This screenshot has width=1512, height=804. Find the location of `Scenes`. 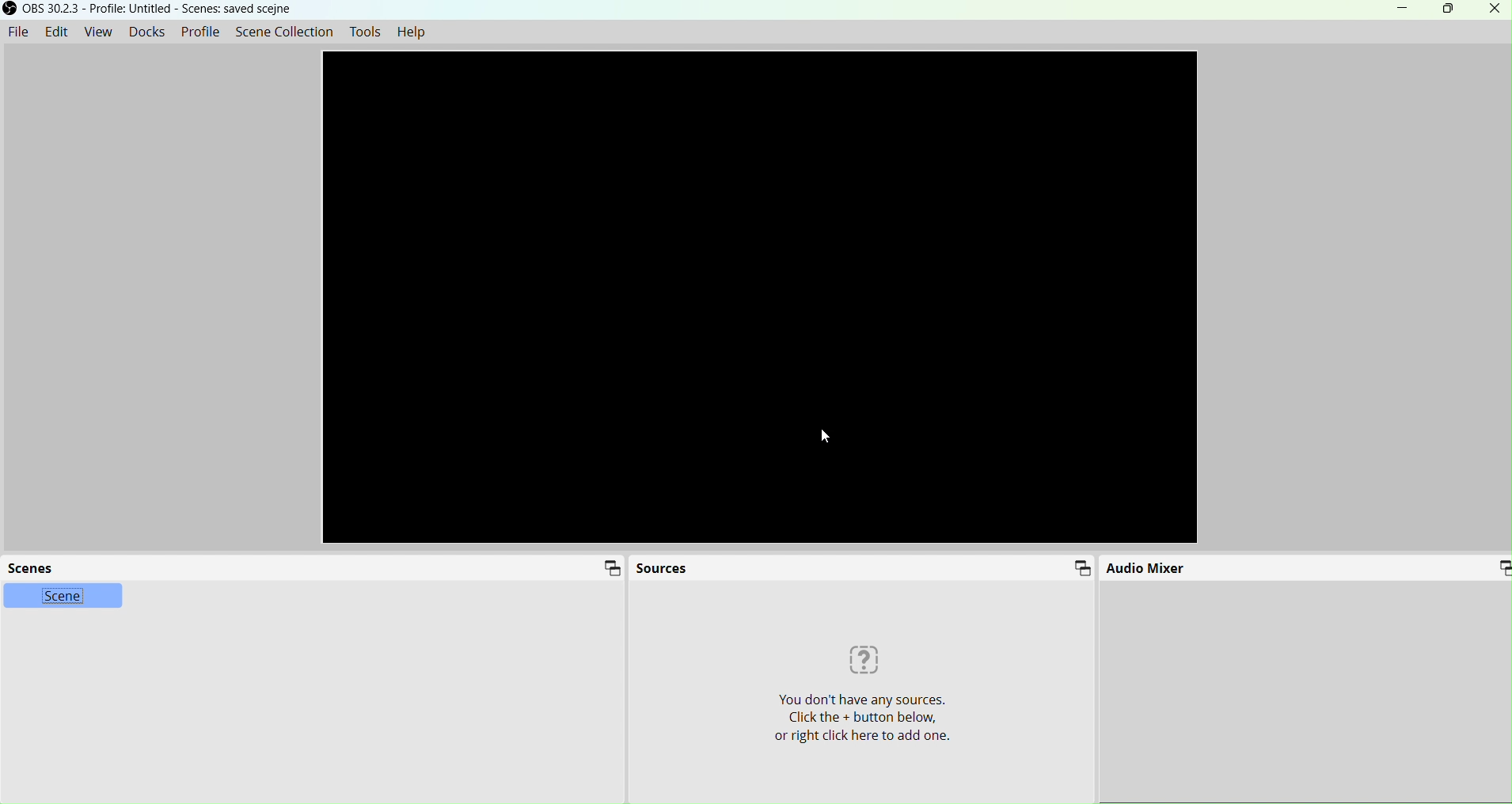

Scenes is located at coordinates (36, 567).